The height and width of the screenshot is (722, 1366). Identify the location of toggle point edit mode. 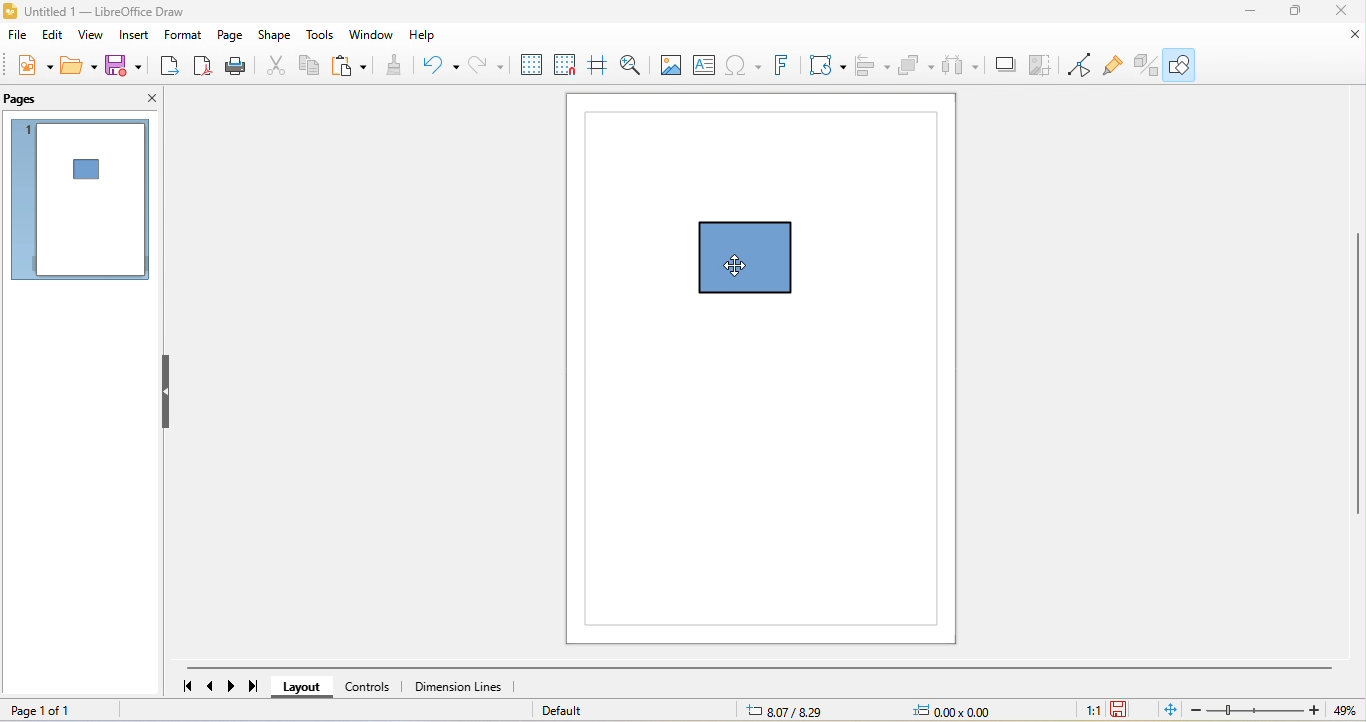
(1081, 67).